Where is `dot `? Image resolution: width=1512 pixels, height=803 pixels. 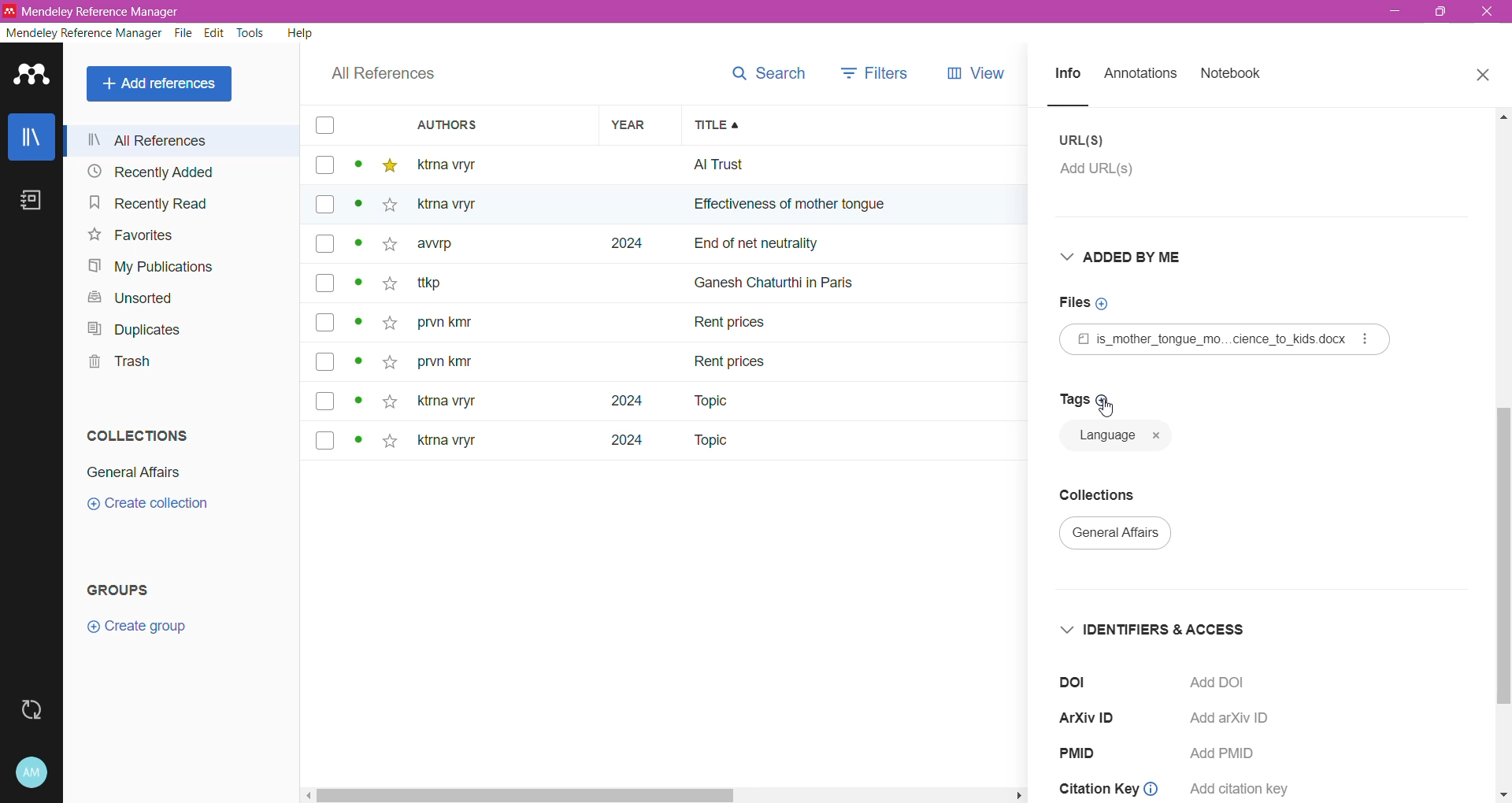
dot  is located at coordinates (358, 366).